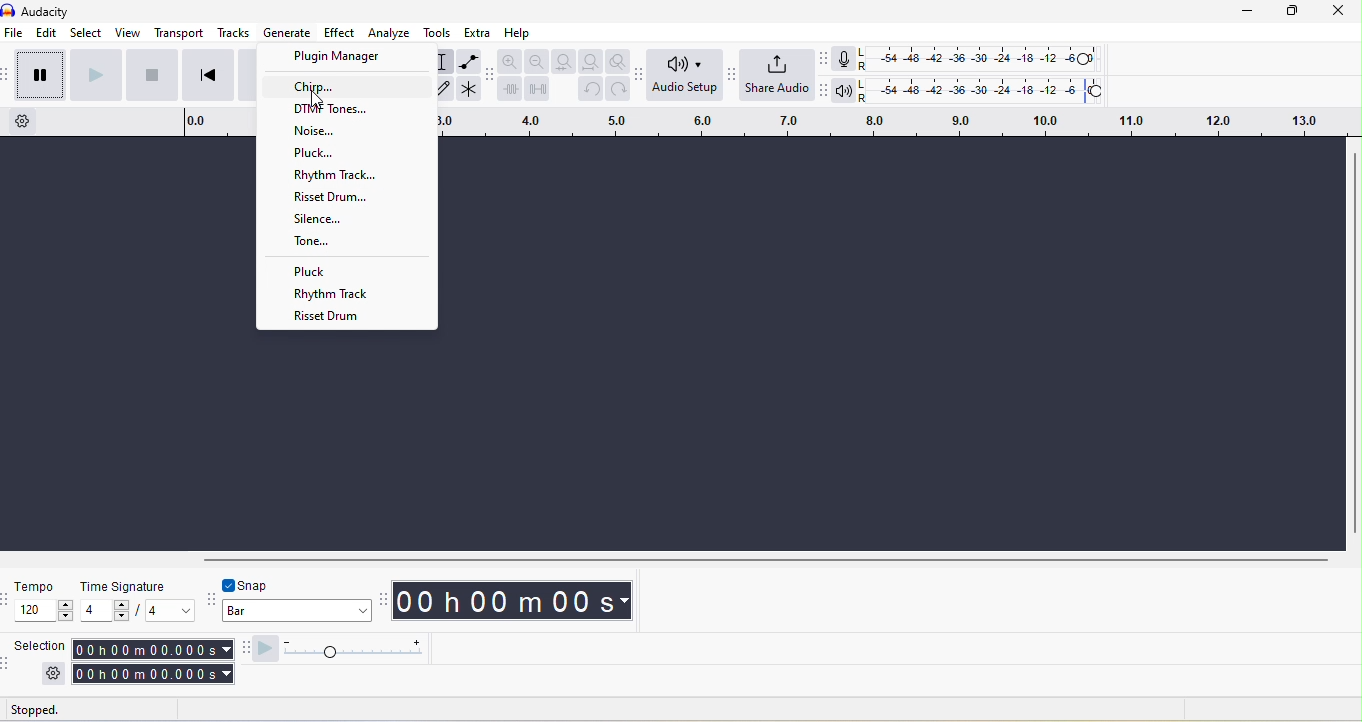 This screenshot has height=722, width=1362. Describe the element at coordinates (517, 602) in the screenshot. I see `00 h 00 m 00 s` at that location.